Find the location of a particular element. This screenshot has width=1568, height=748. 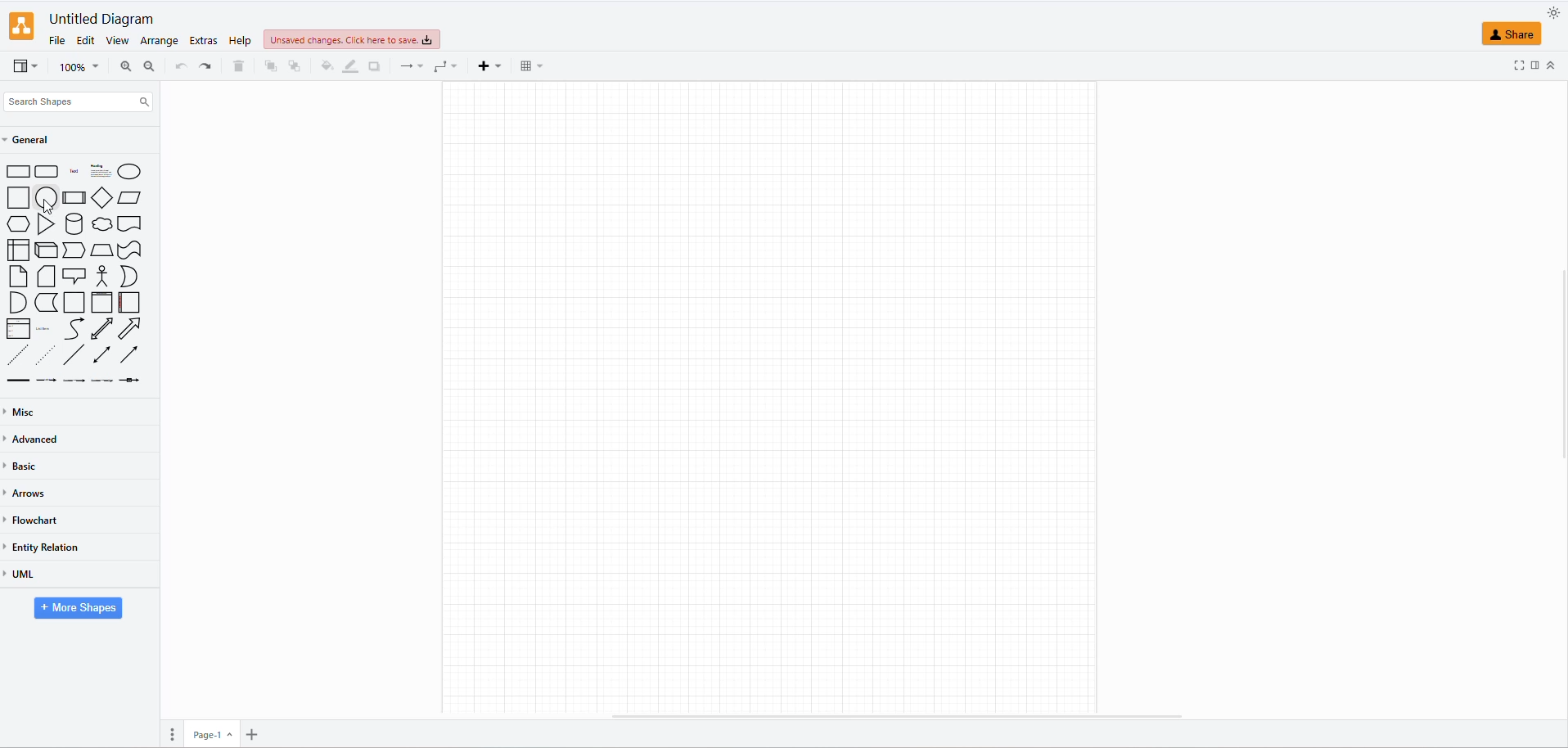

PAGES is located at coordinates (166, 732).